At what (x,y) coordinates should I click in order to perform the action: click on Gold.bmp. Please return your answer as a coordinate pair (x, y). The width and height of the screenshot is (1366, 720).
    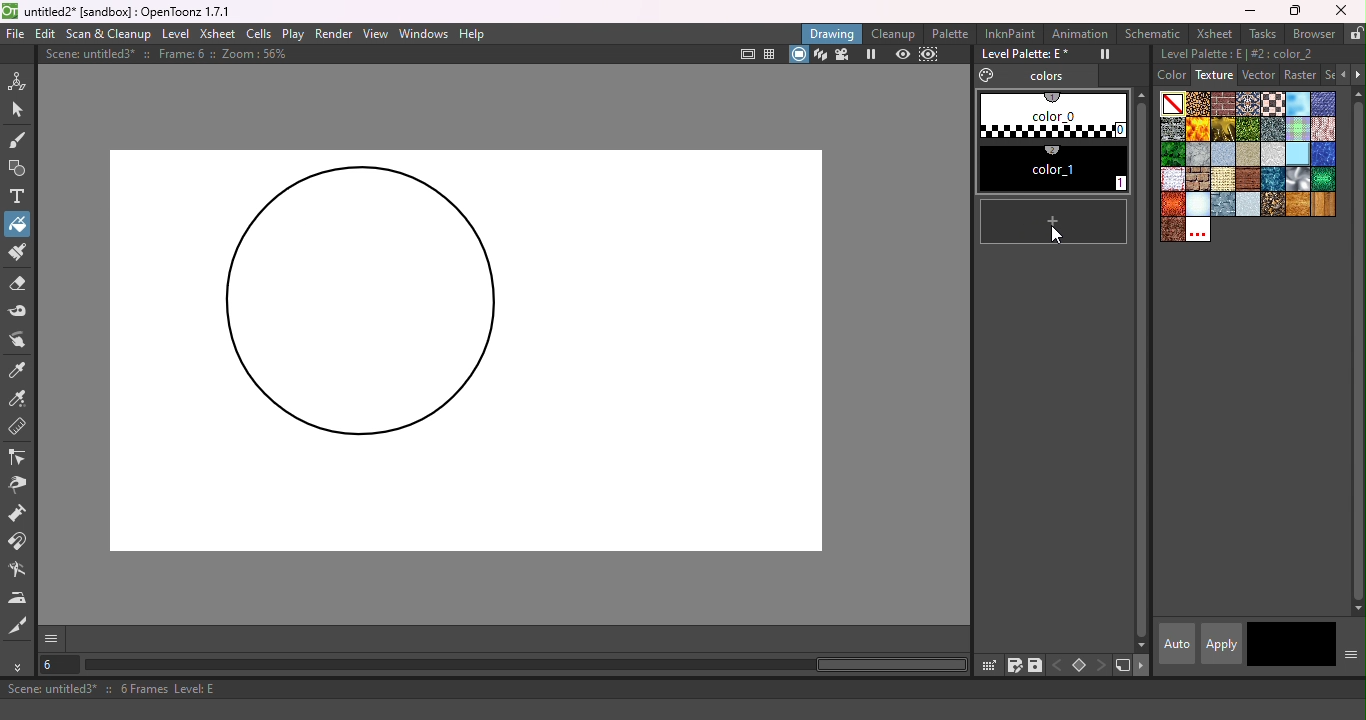
    Looking at the image, I should click on (1224, 129).